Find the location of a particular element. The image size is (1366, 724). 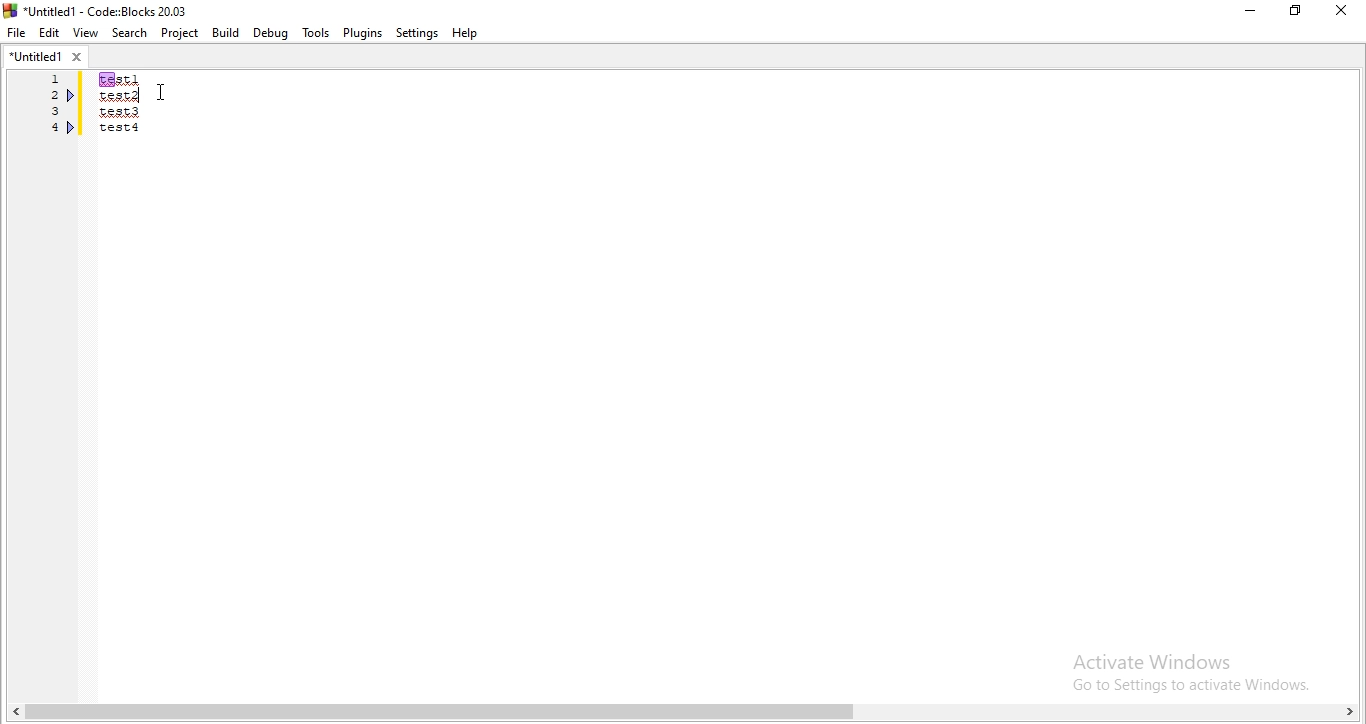

Debug  is located at coordinates (271, 33).